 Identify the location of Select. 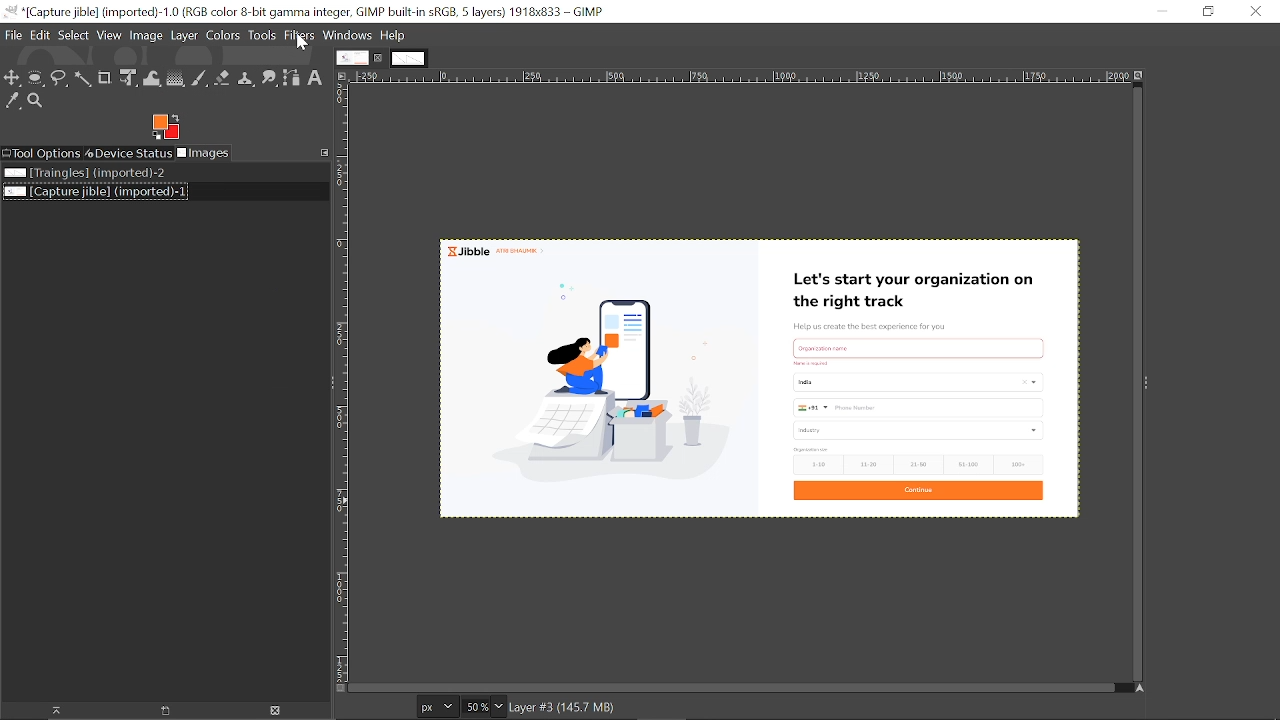
(74, 37).